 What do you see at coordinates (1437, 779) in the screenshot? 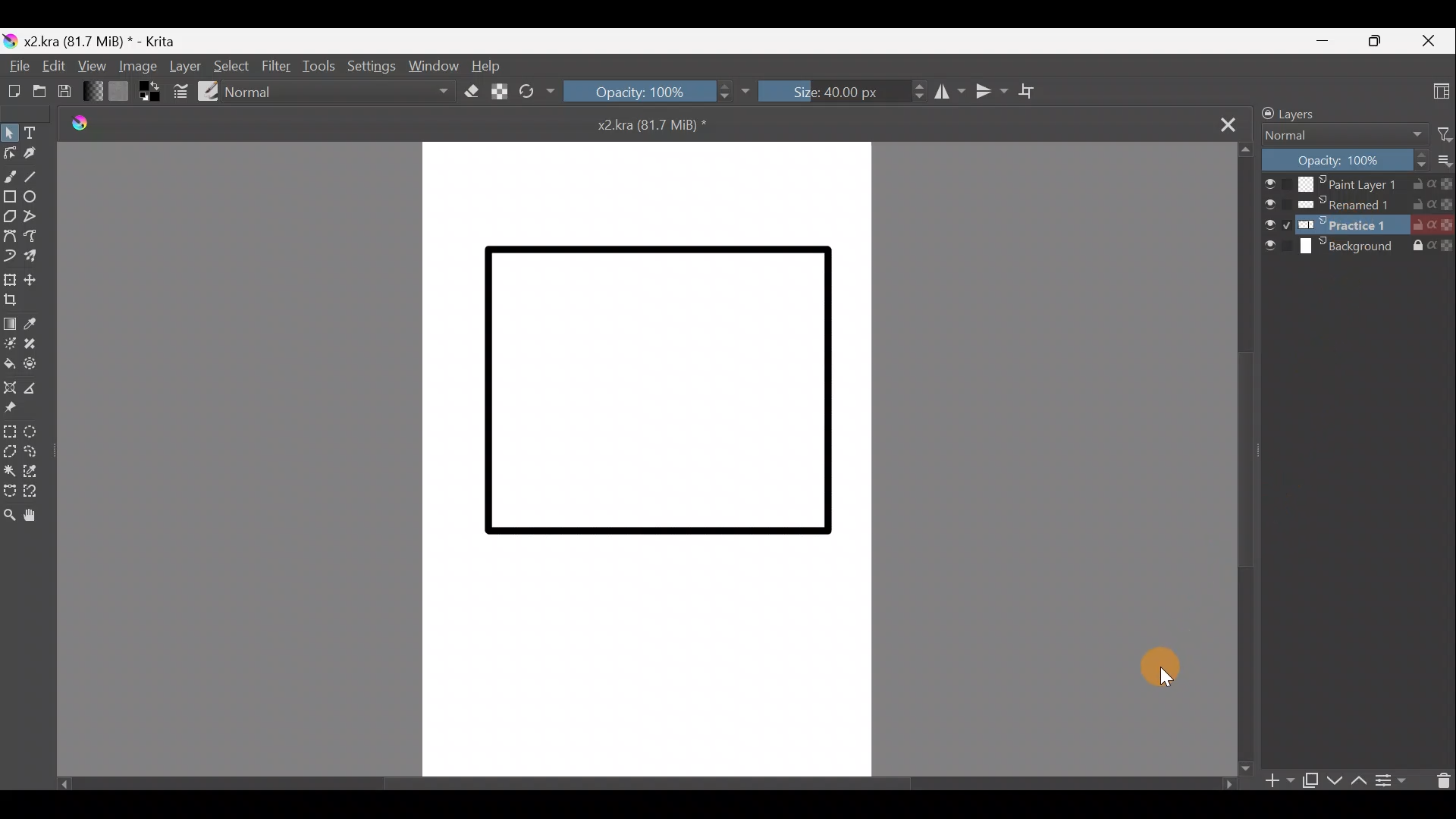
I see `Delete the layer/mask` at bounding box center [1437, 779].